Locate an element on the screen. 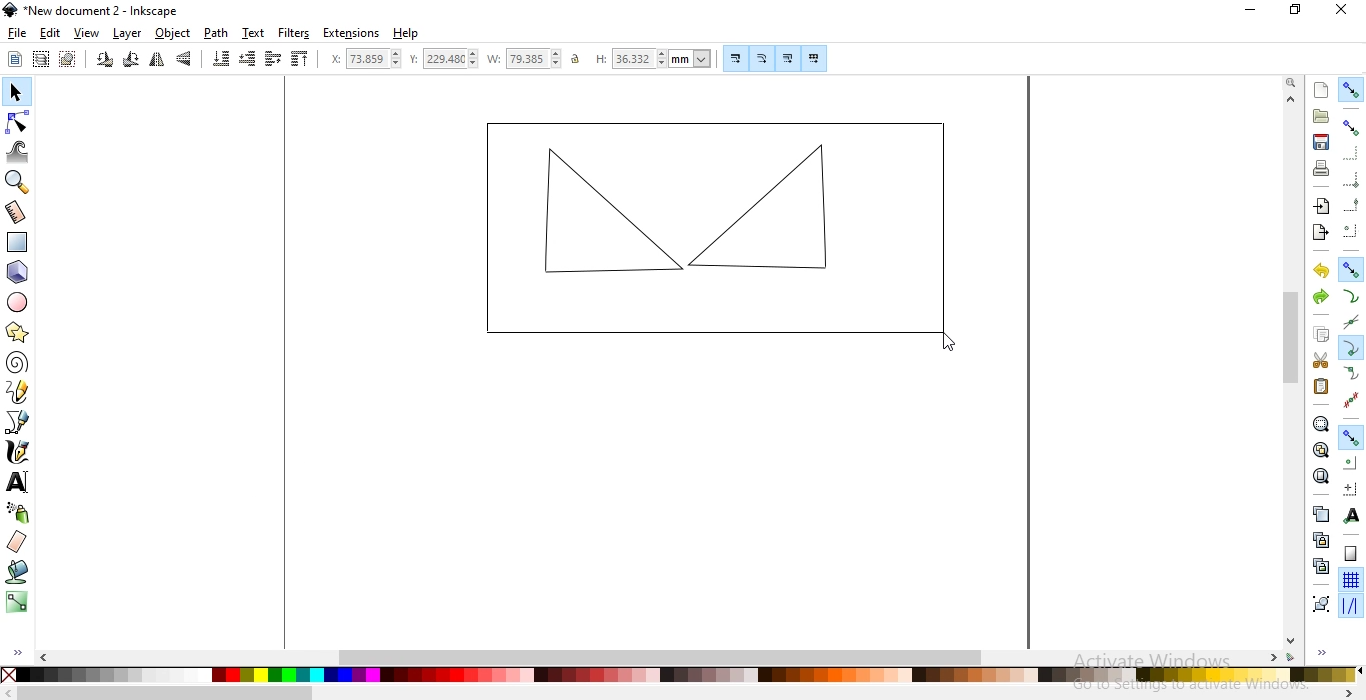  create a clone is located at coordinates (1317, 539).